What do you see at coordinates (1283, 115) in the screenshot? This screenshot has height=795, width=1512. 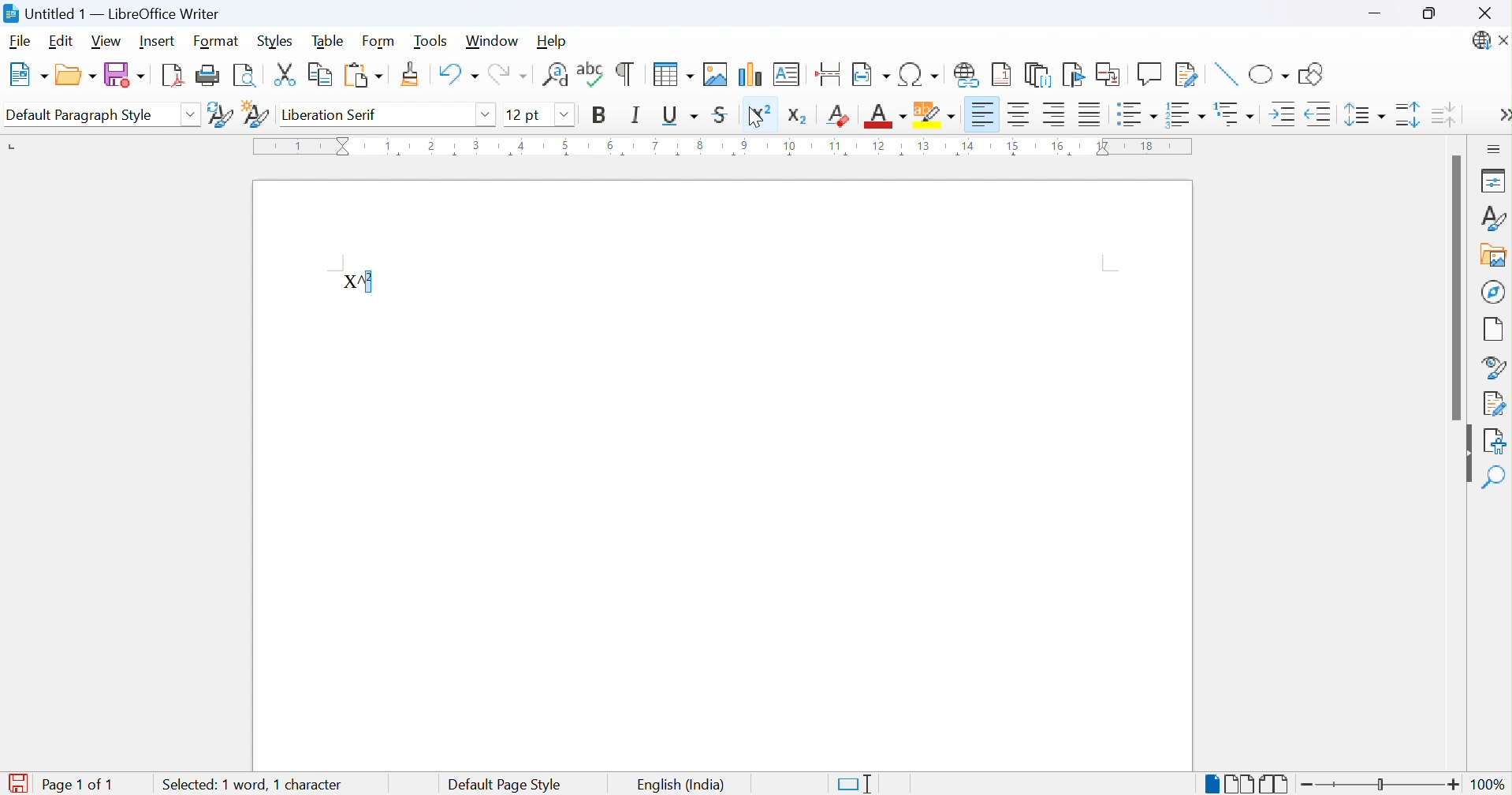 I see `Increase indent` at bounding box center [1283, 115].